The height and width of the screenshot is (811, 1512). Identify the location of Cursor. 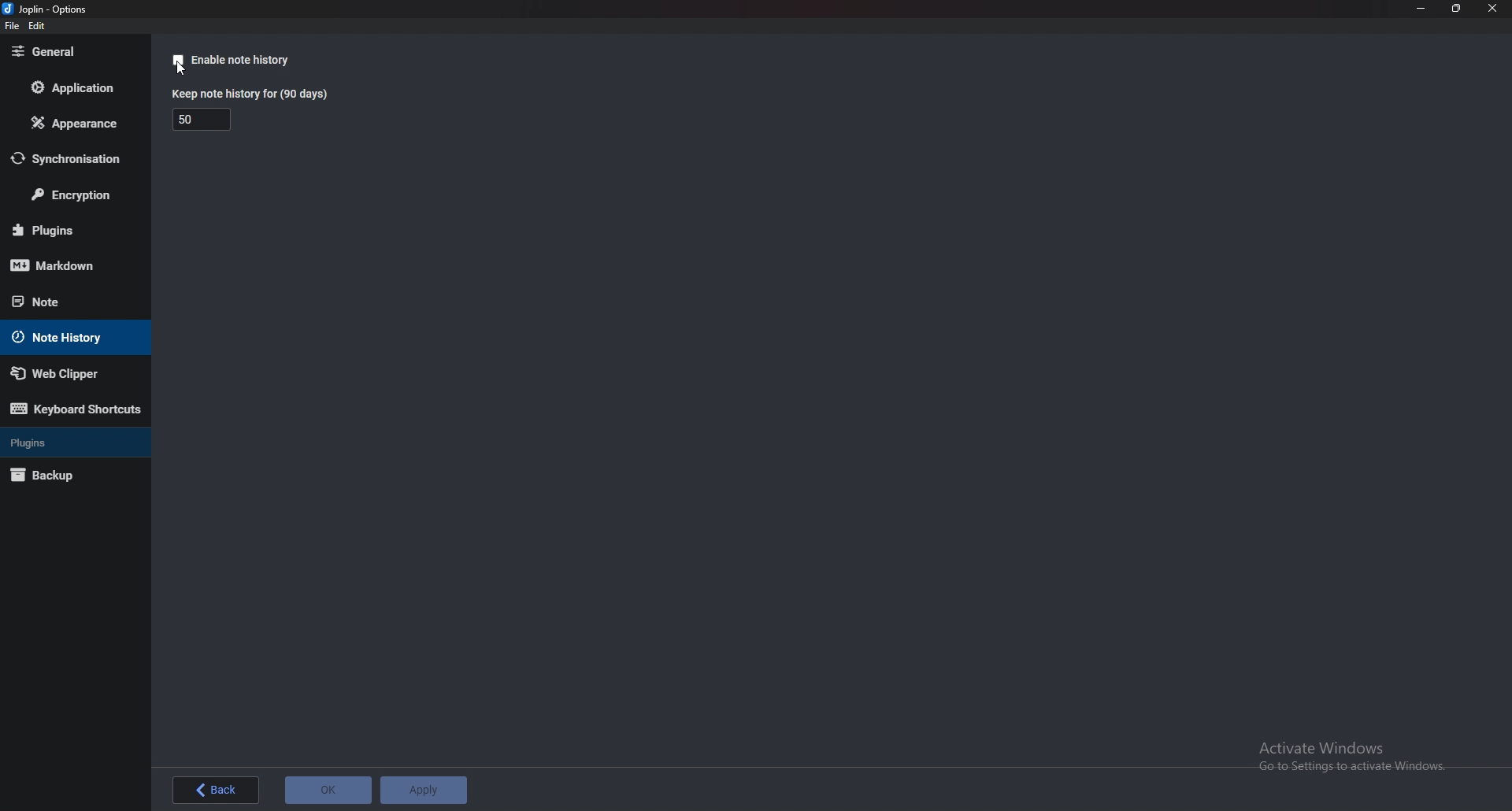
(183, 70).